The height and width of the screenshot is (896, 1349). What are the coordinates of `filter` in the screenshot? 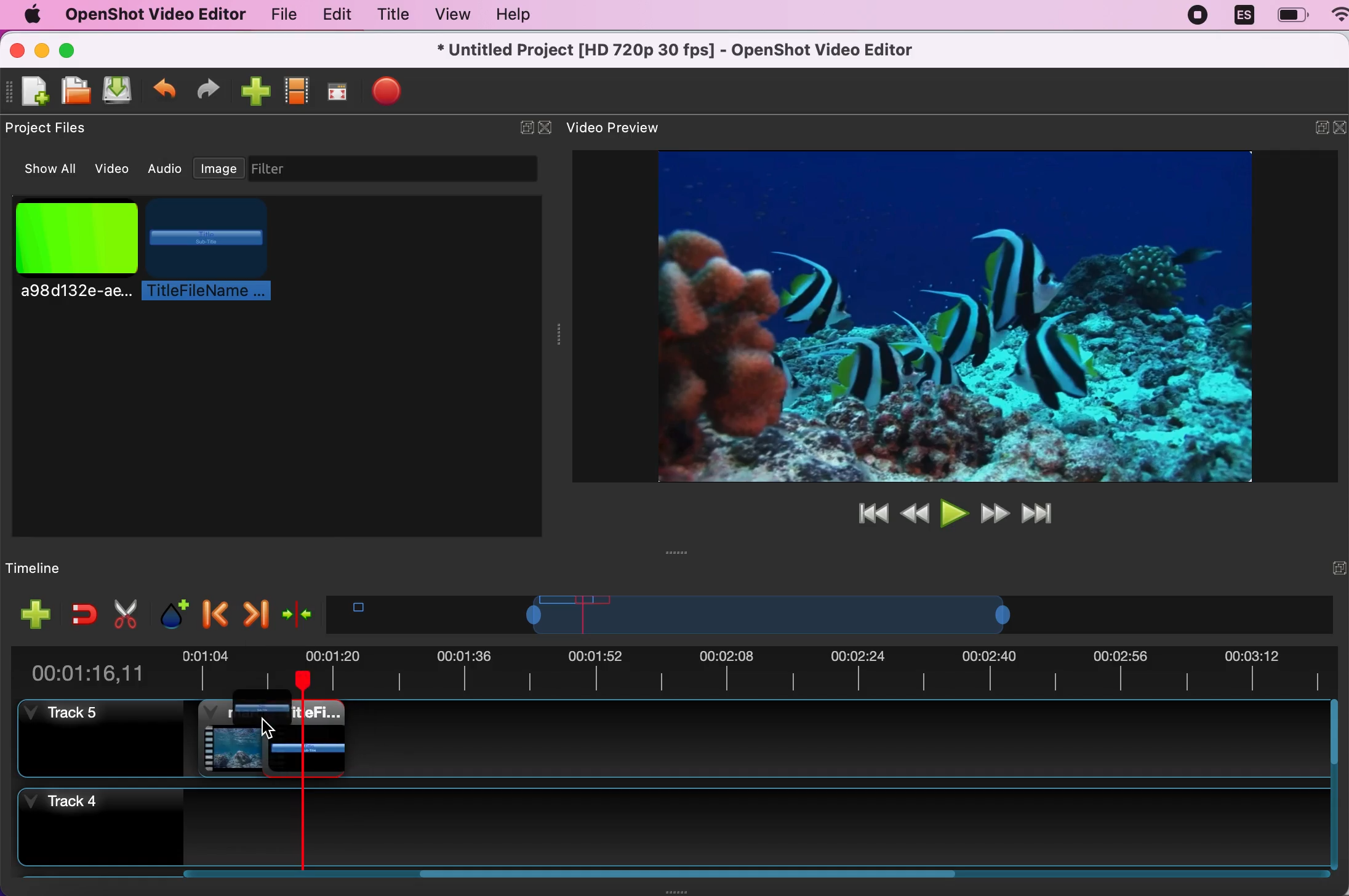 It's located at (404, 169).